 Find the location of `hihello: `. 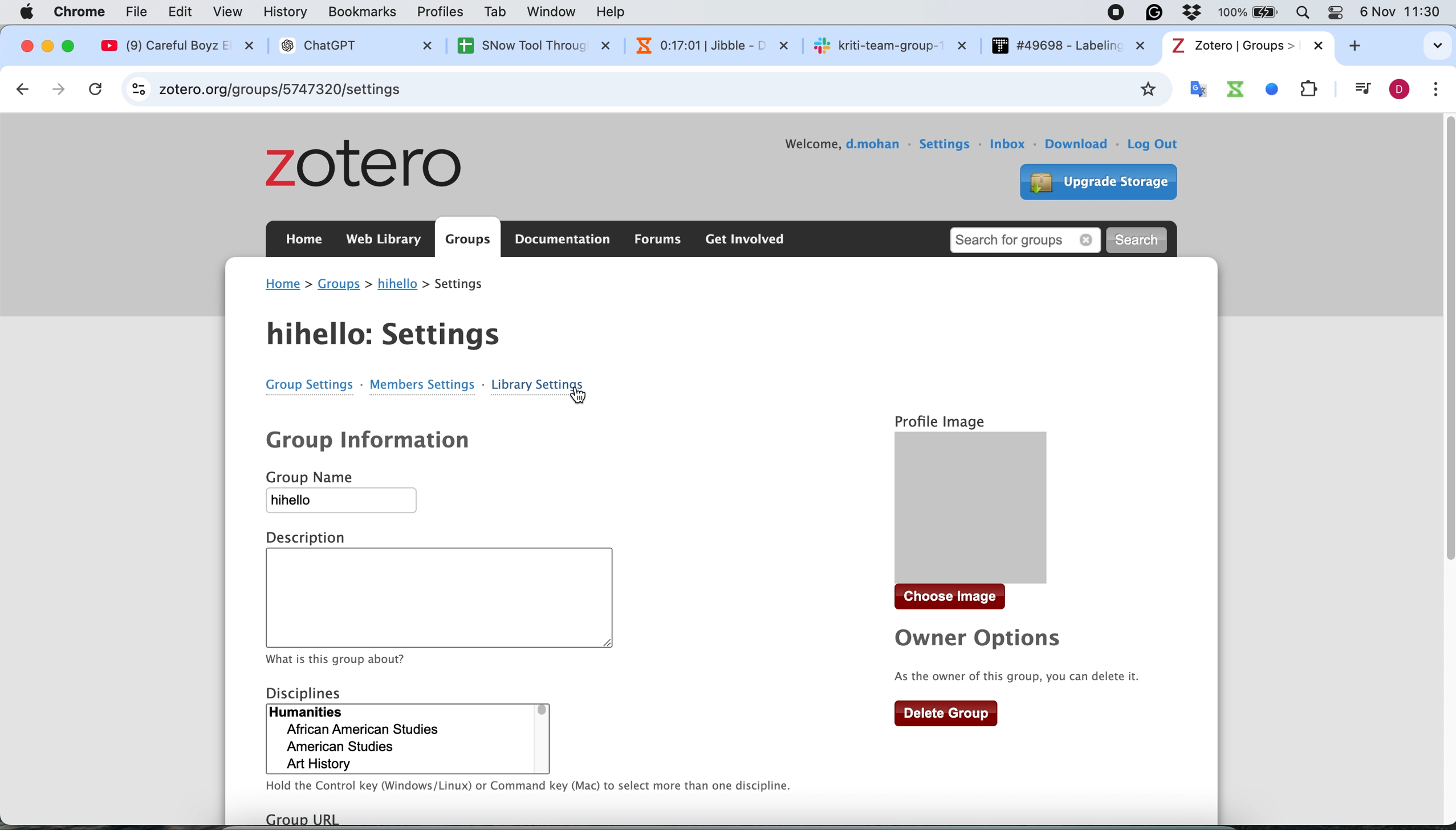

hihello:  is located at coordinates (387, 330).